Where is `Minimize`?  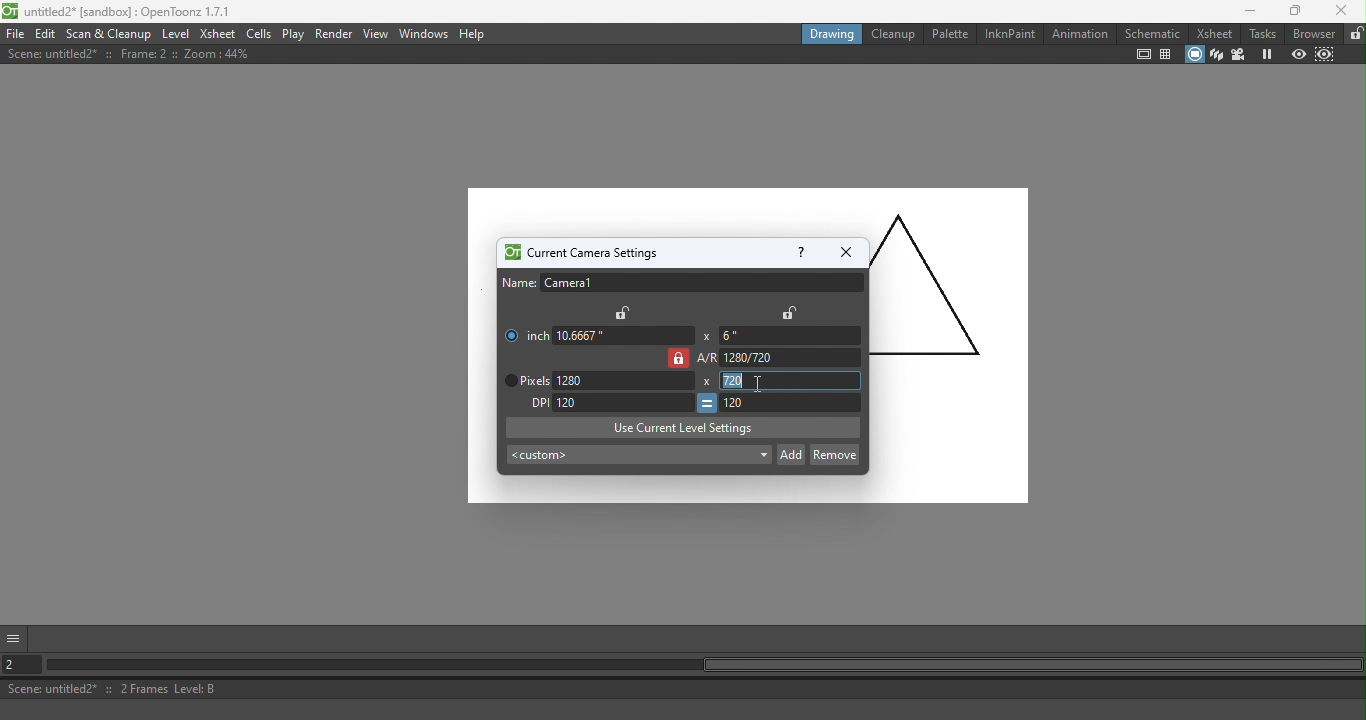 Minimize is located at coordinates (1243, 11).